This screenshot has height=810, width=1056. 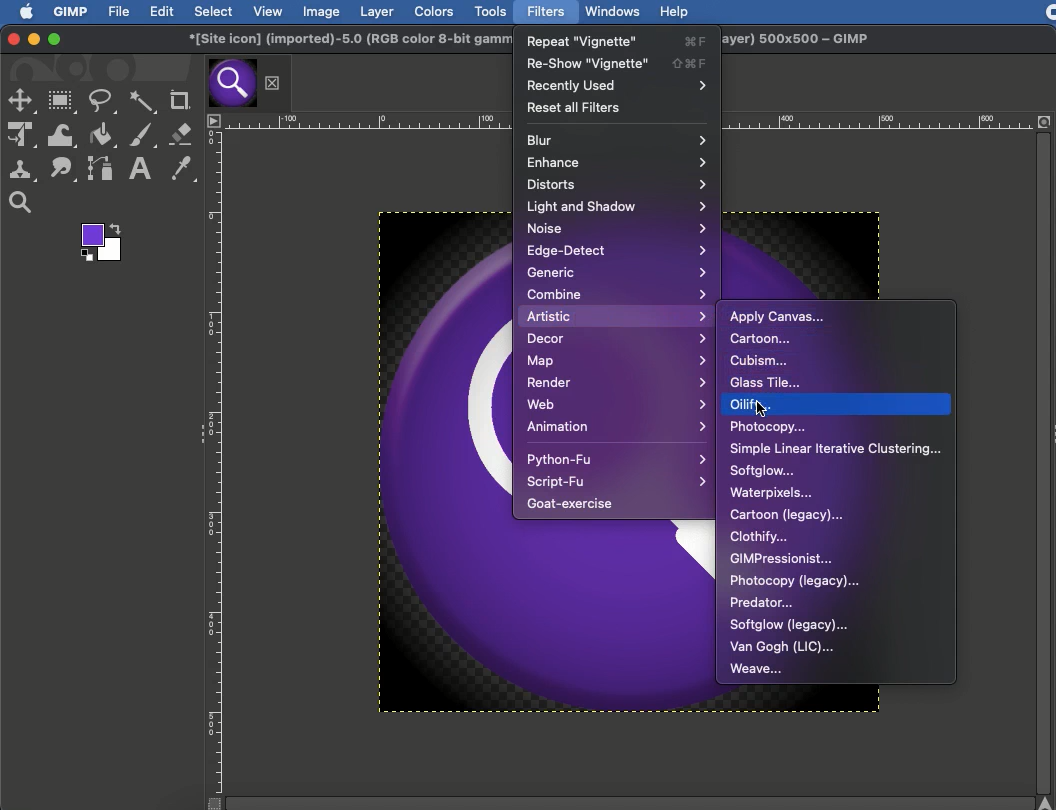 What do you see at coordinates (138, 169) in the screenshot?
I see `Text` at bounding box center [138, 169].